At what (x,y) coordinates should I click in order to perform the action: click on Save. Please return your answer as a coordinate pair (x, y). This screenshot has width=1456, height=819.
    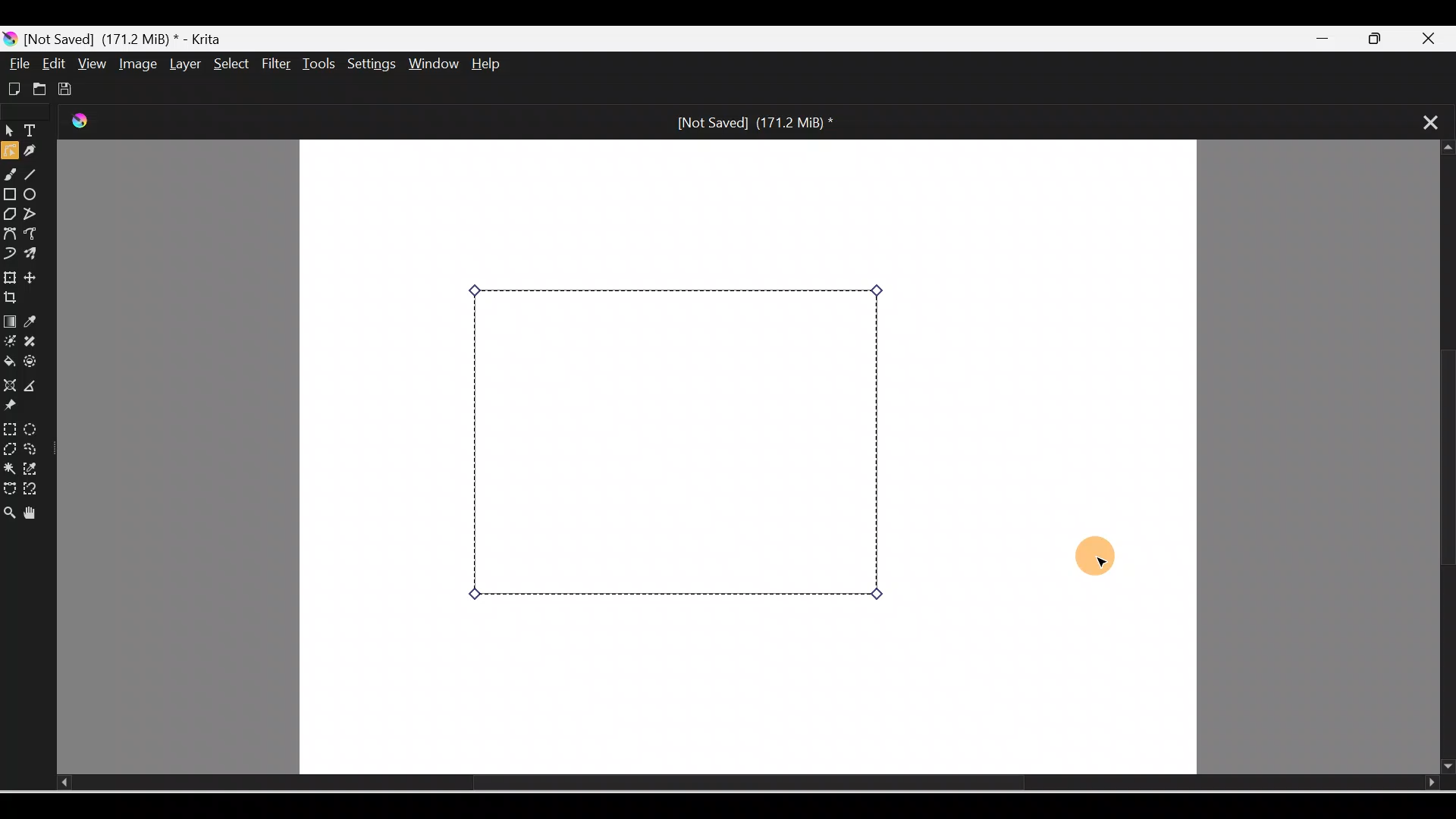
    Looking at the image, I should click on (68, 86).